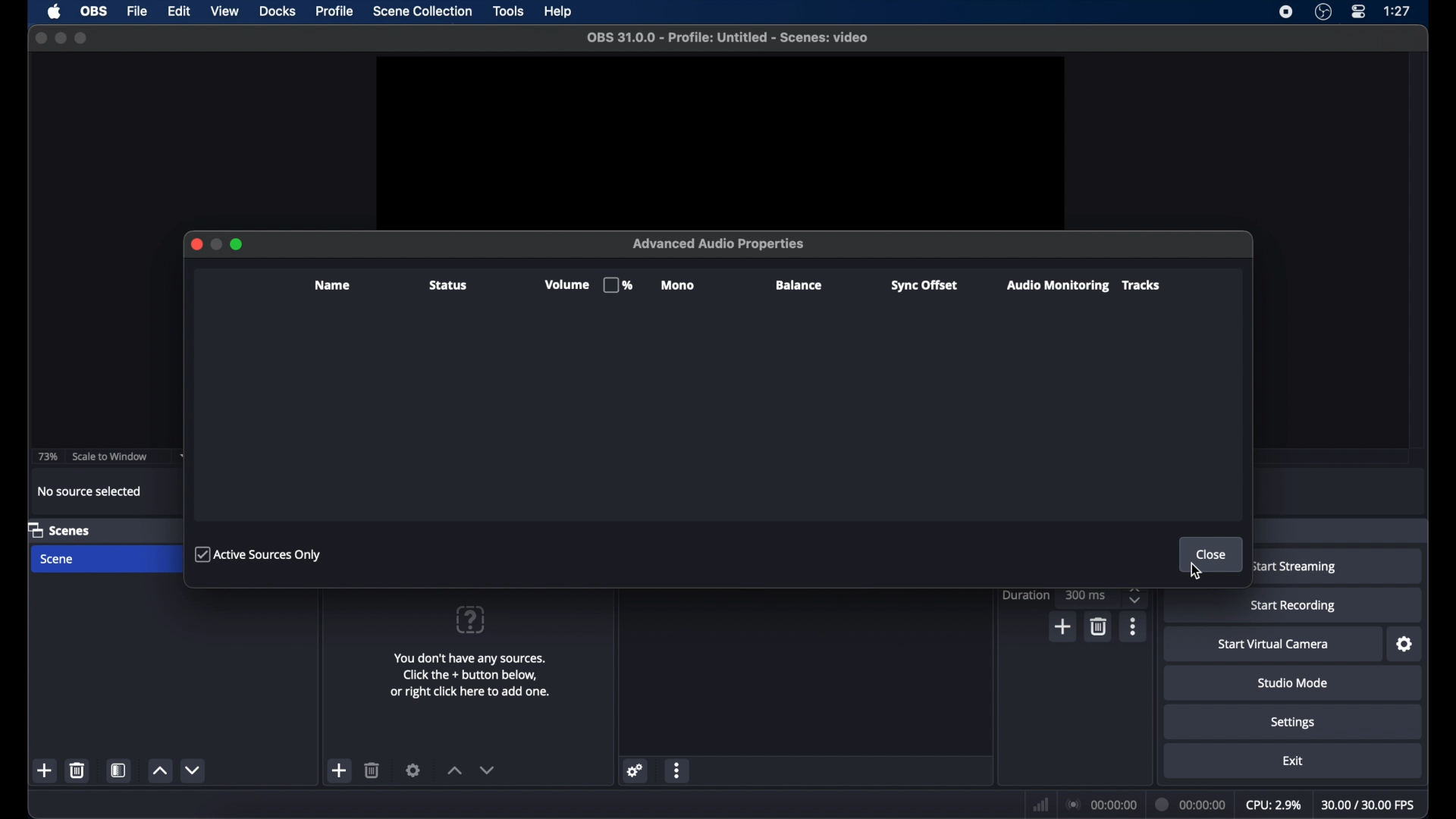 Image resolution: width=1456 pixels, height=819 pixels. What do you see at coordinates (55, 11) in the screenshot?
I see `apple icon` at bounding box center [55, 11].